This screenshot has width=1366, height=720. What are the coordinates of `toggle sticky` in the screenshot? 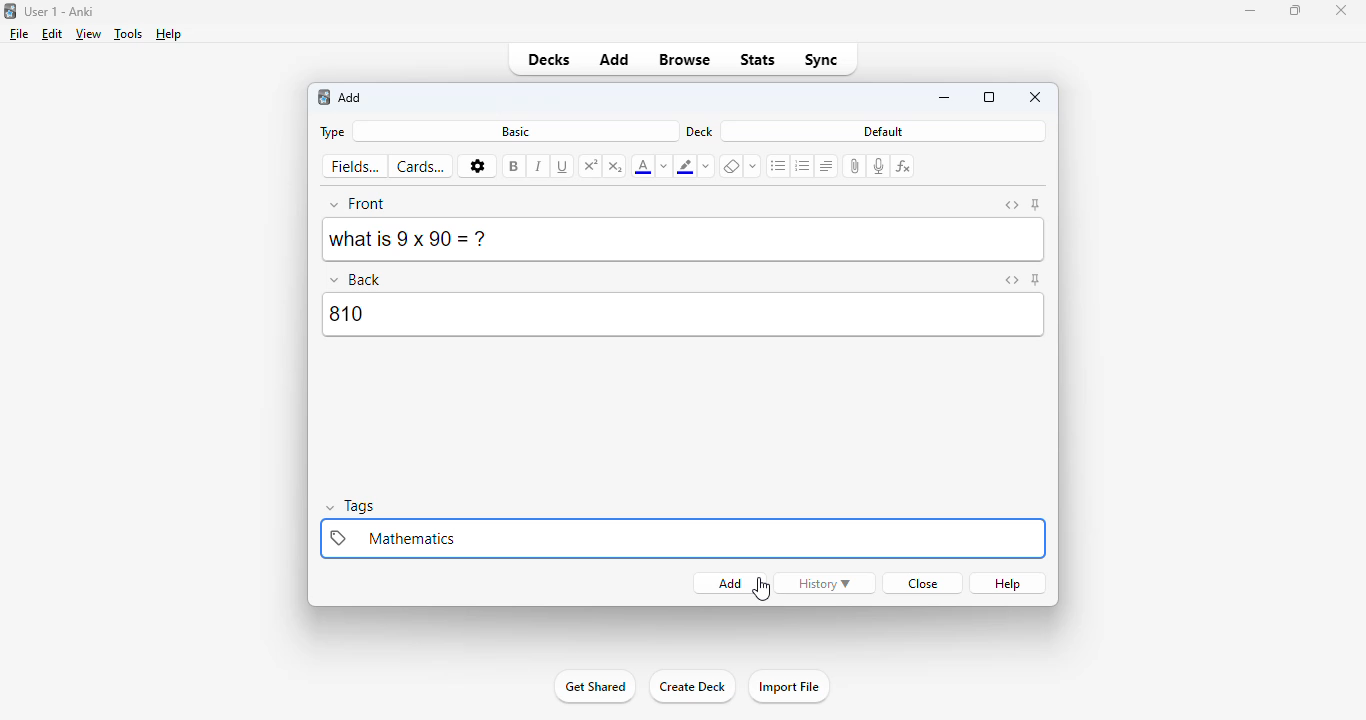 It's located at (1036, 279).